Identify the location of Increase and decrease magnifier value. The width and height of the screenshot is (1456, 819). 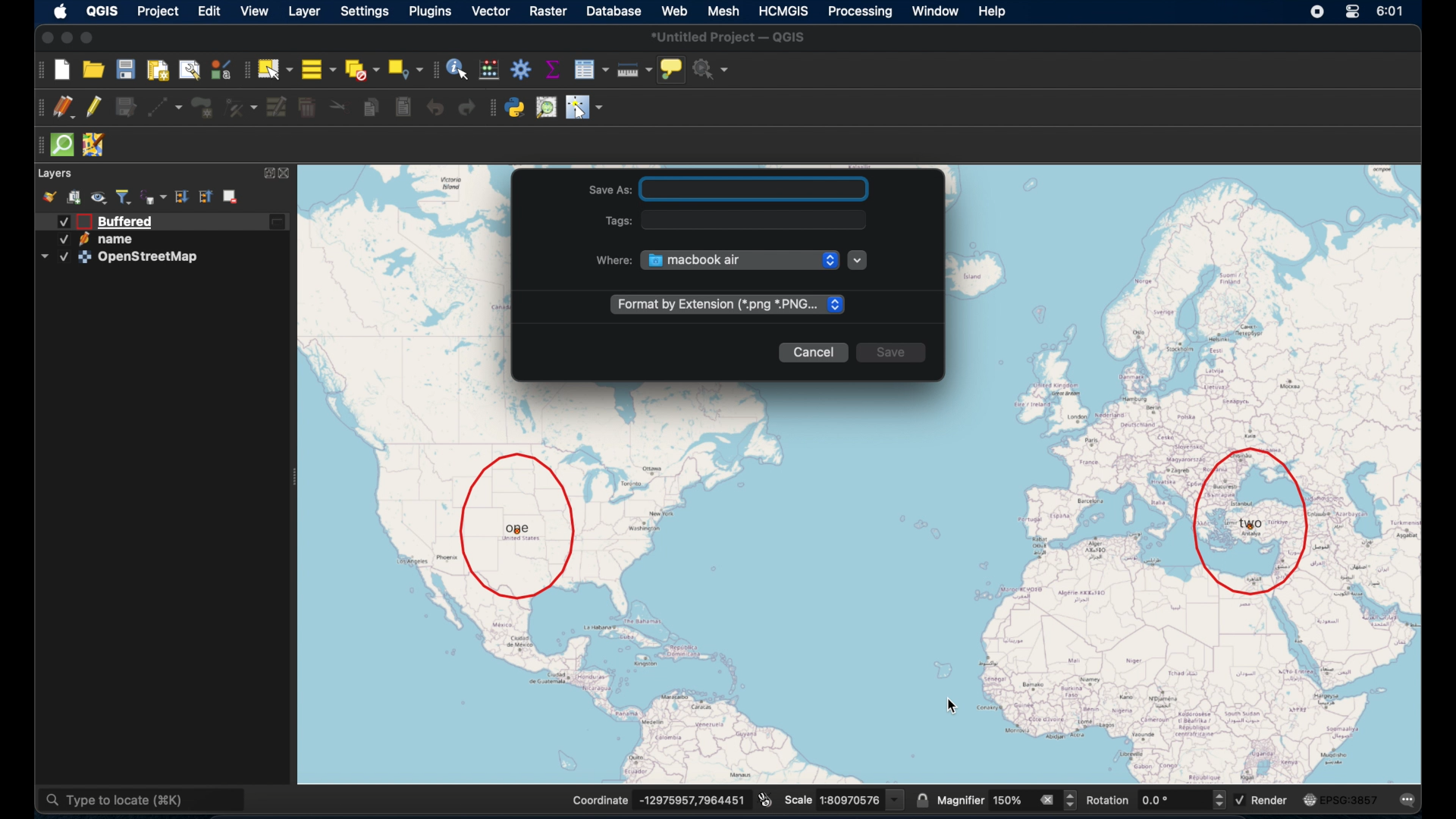
(1071, 800).